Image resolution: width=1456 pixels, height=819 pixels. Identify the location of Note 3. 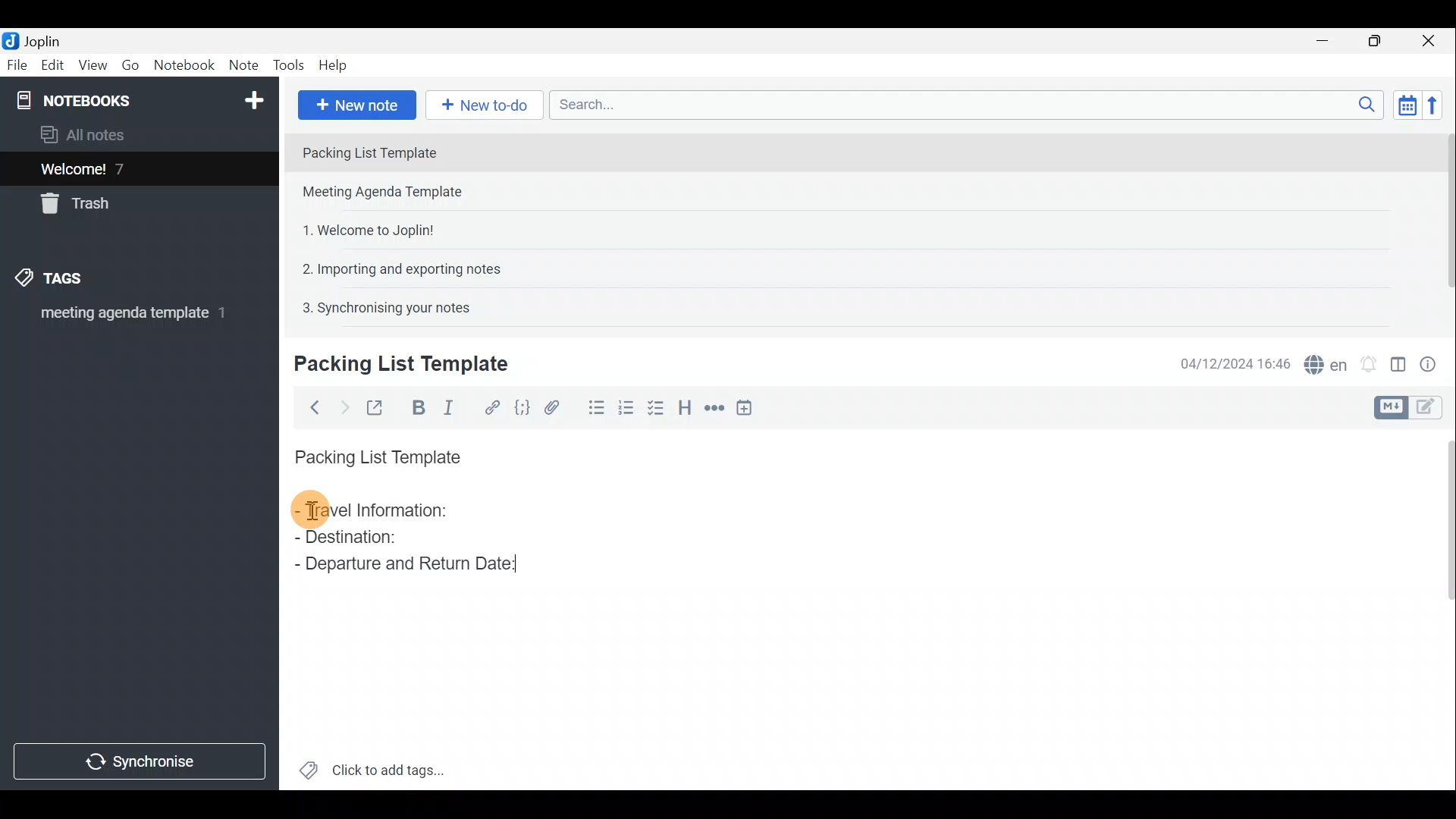
(362, 228).